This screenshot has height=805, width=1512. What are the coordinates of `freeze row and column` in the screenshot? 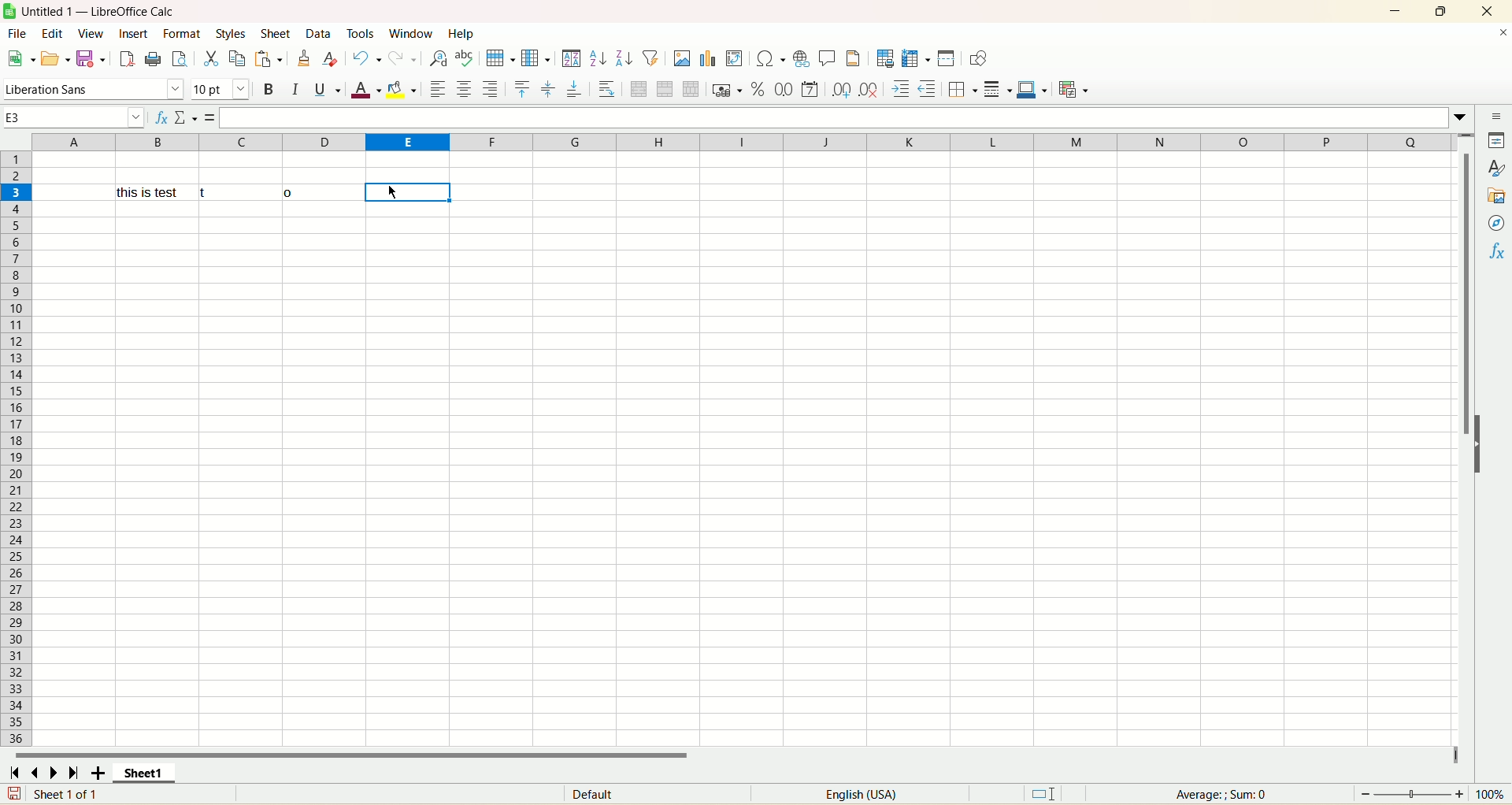 It's located at (915, 60).